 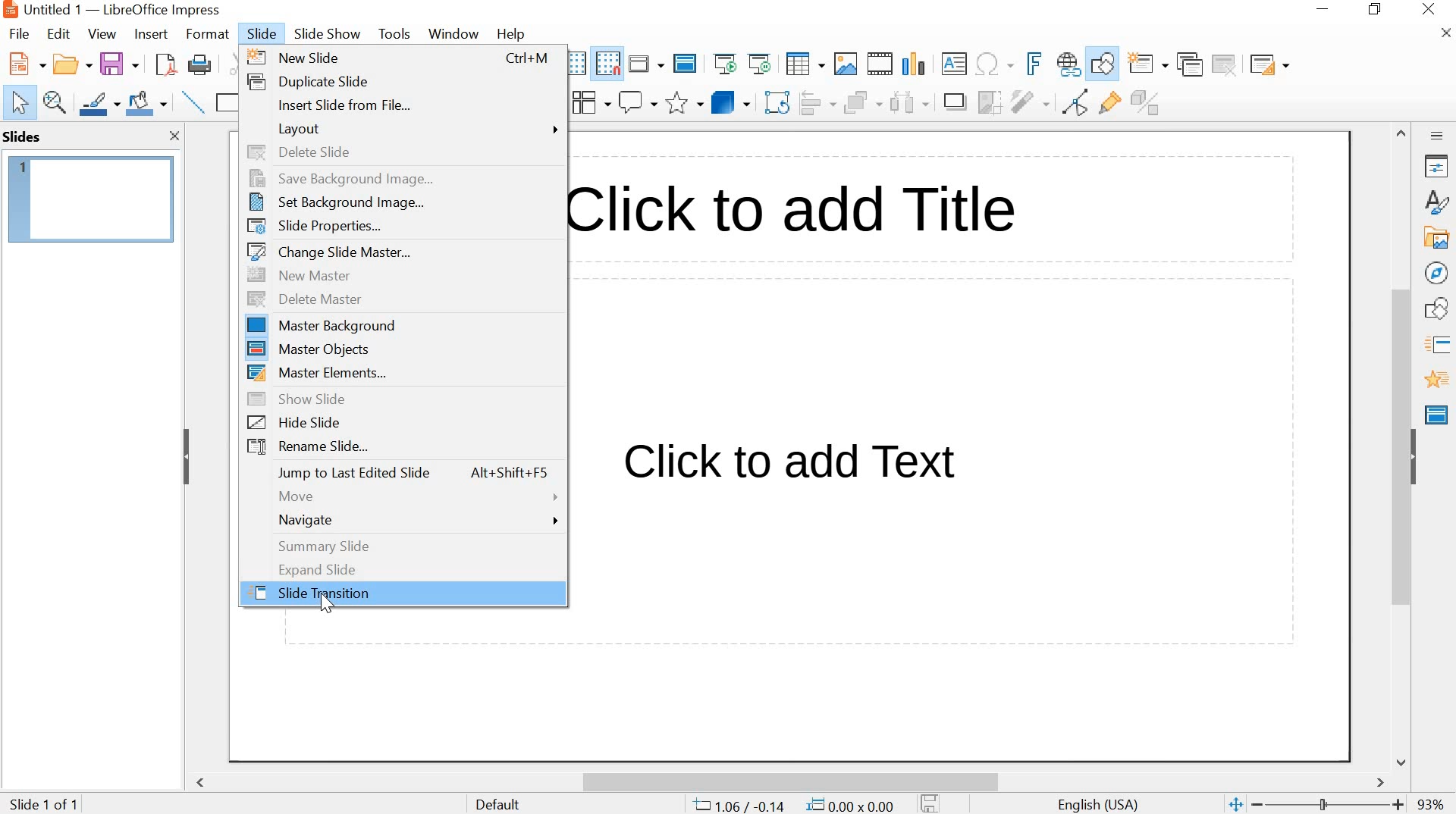 What do you see at coordinates (807, 213) in the screenshot?
I see `Click to add Title` at bounding box center [807, 213].